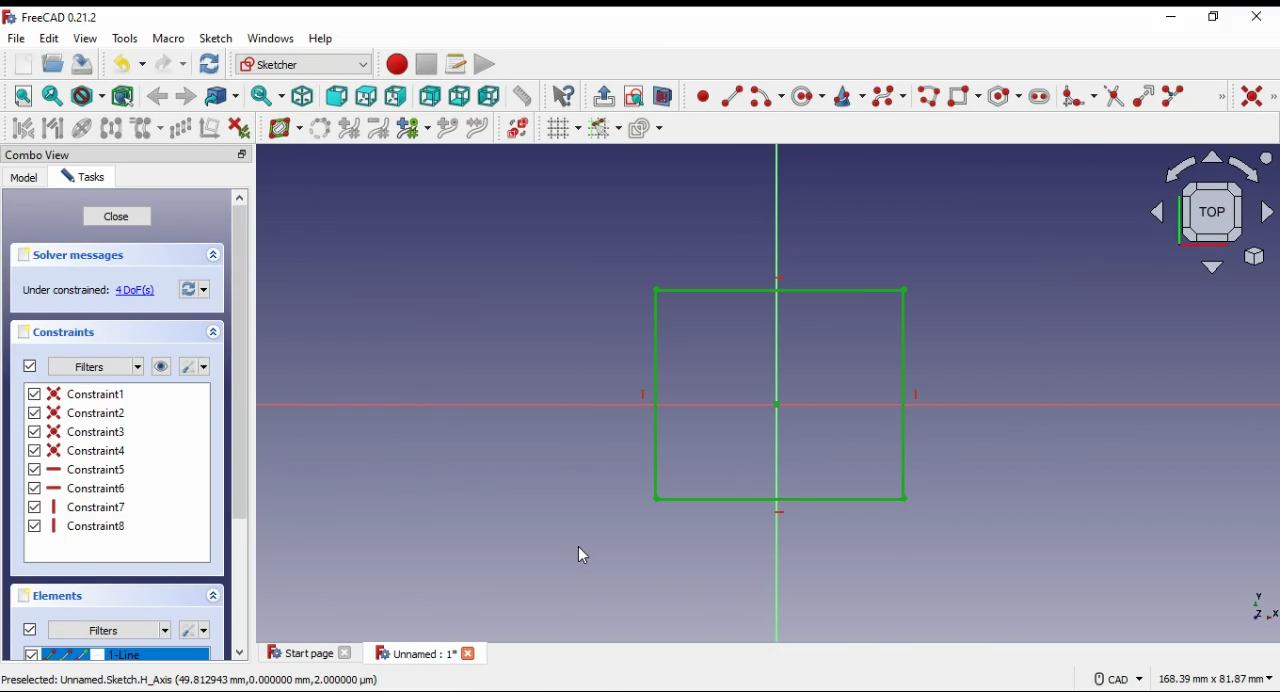  What do you see at coordinates (24, 96) in the screenshot?
I see `fit all` at bounding box center [24, 96].